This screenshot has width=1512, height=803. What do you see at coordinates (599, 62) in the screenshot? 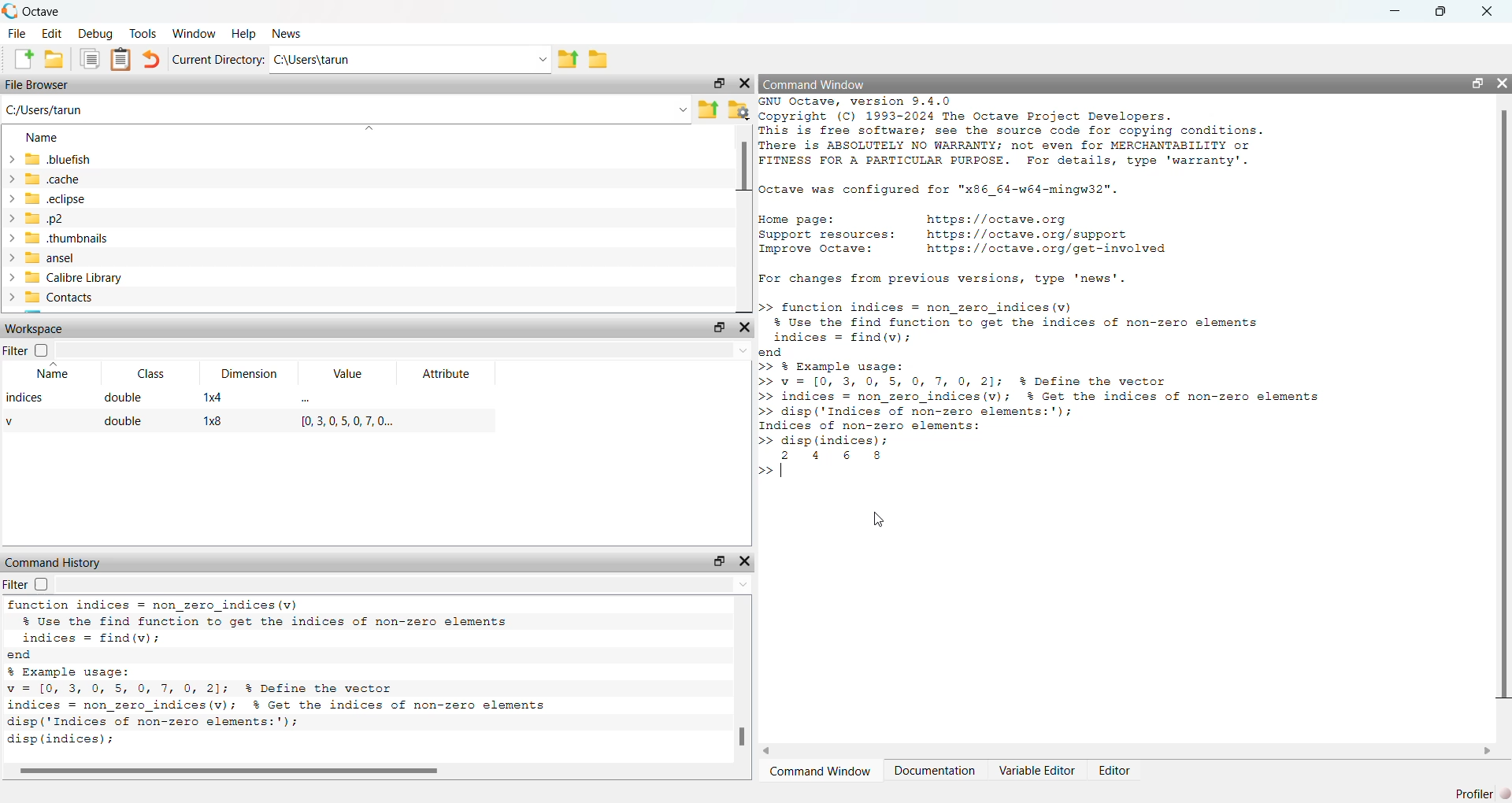
I see `folder` at bounding box center [599, 62].